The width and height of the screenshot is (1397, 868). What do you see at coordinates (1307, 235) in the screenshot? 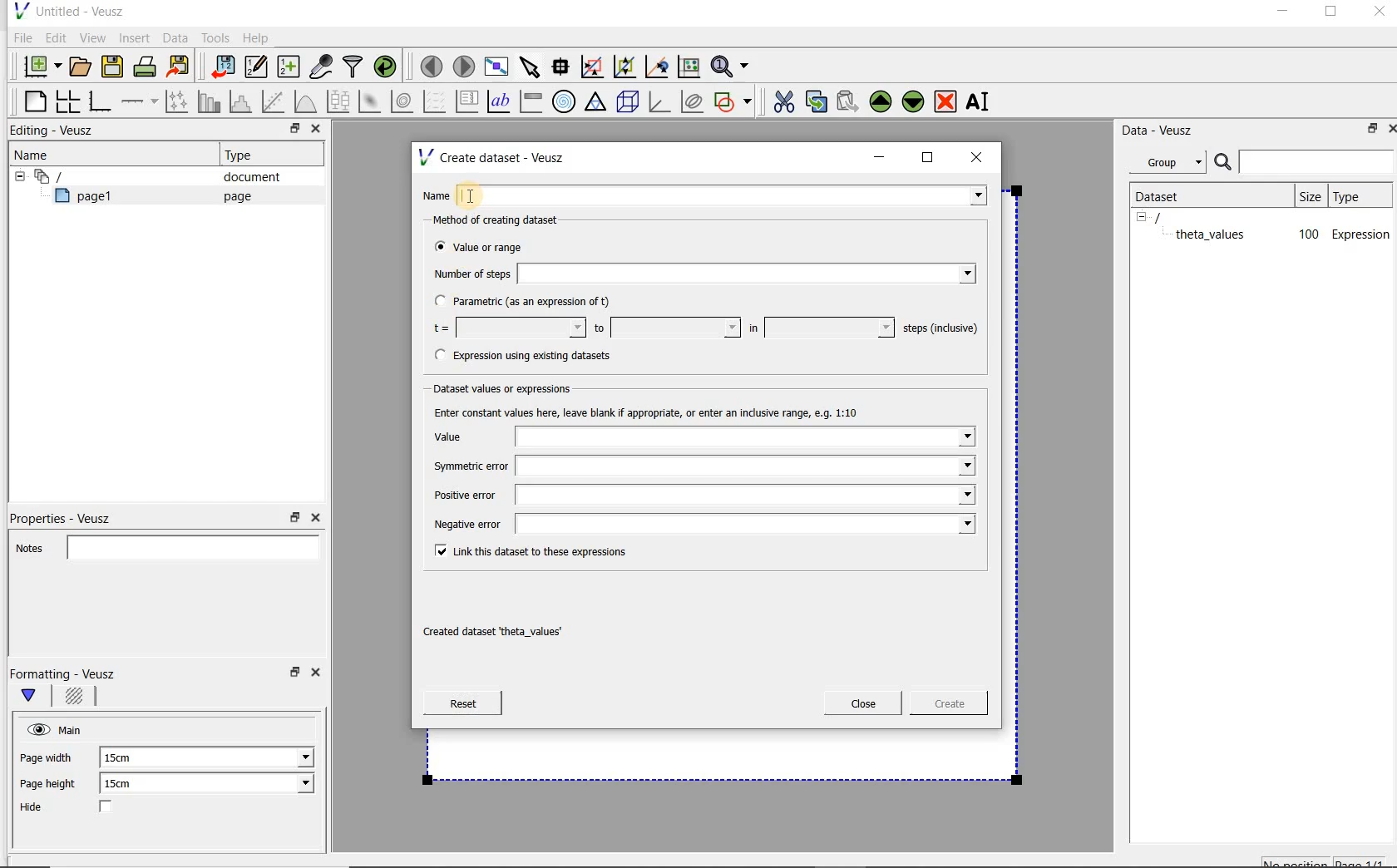
I see `100` at bounding box center [1307, 235].